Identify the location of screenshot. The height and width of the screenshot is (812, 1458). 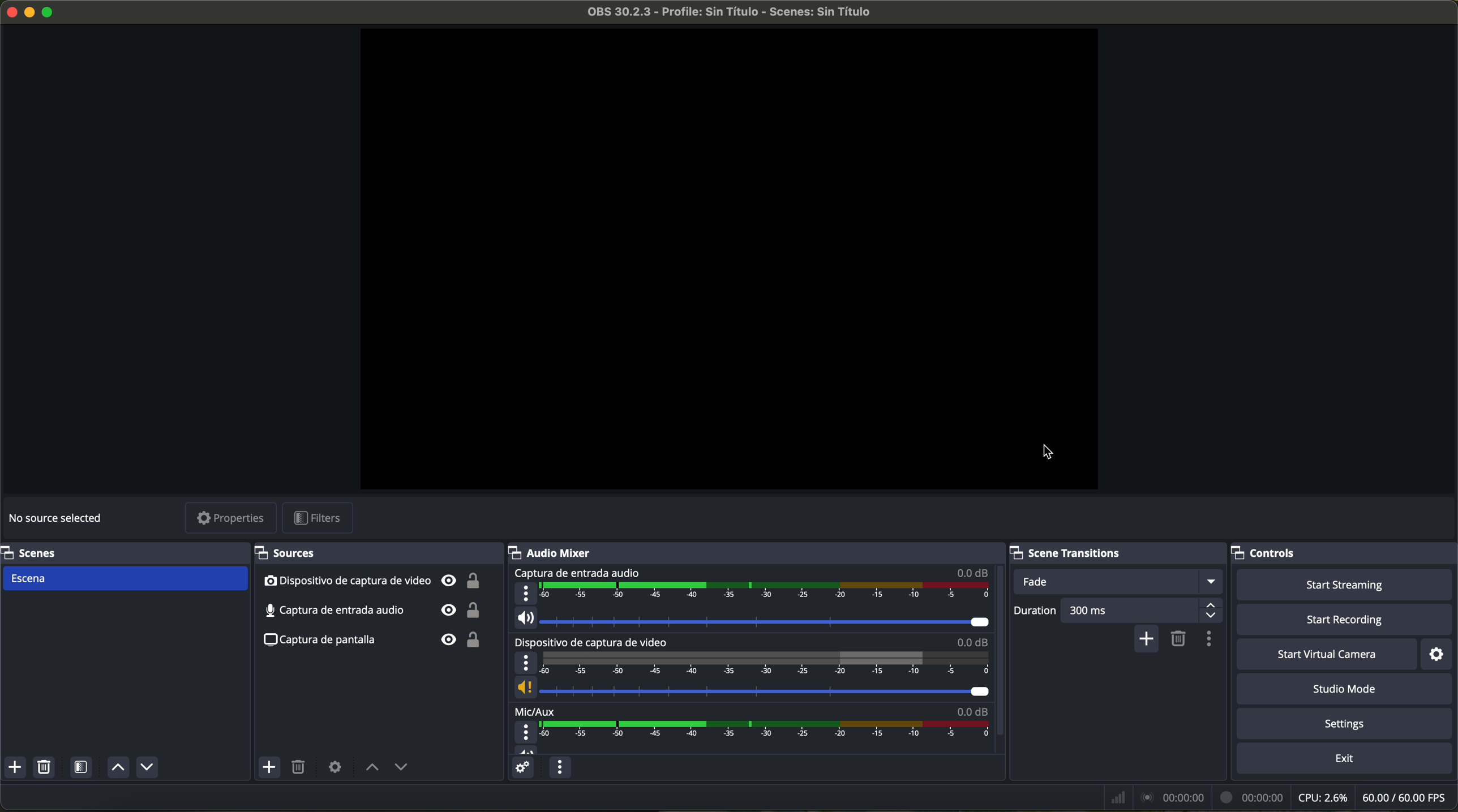
(379, 639).